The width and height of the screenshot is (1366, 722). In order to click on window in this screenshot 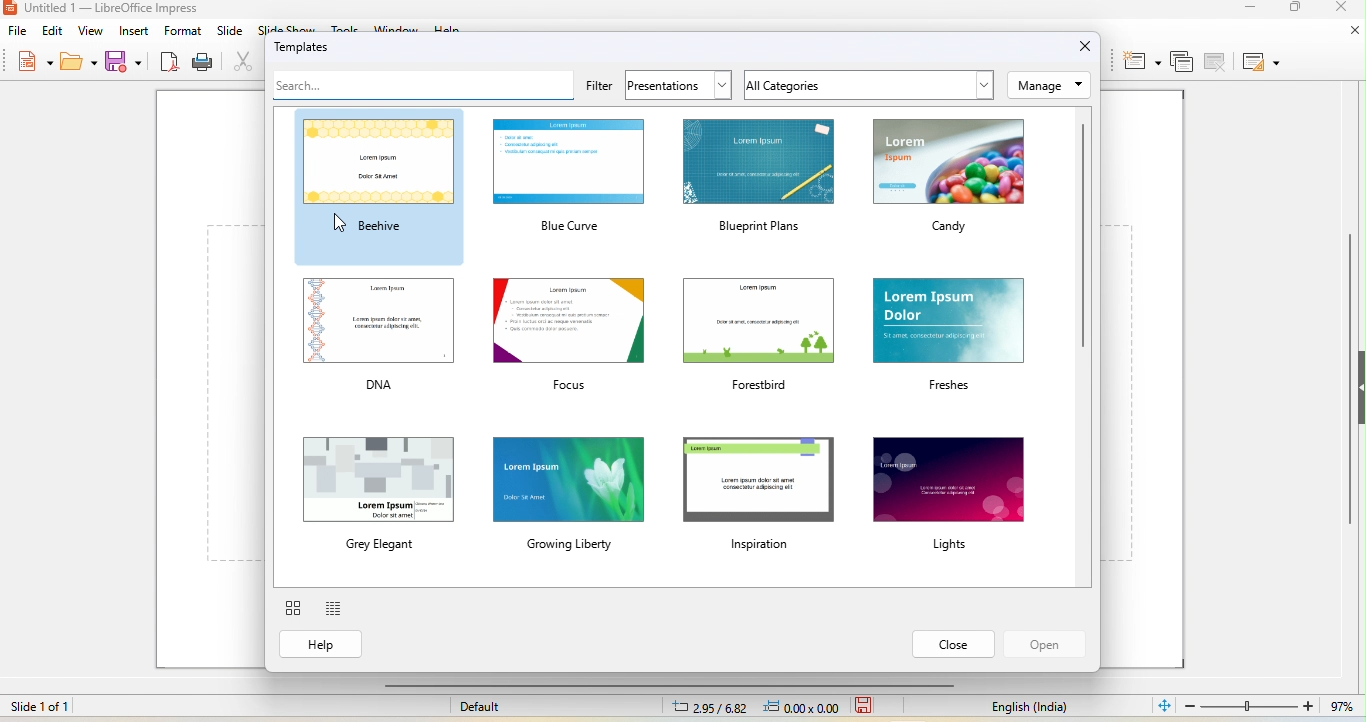, I will do `click(400, 28)`.